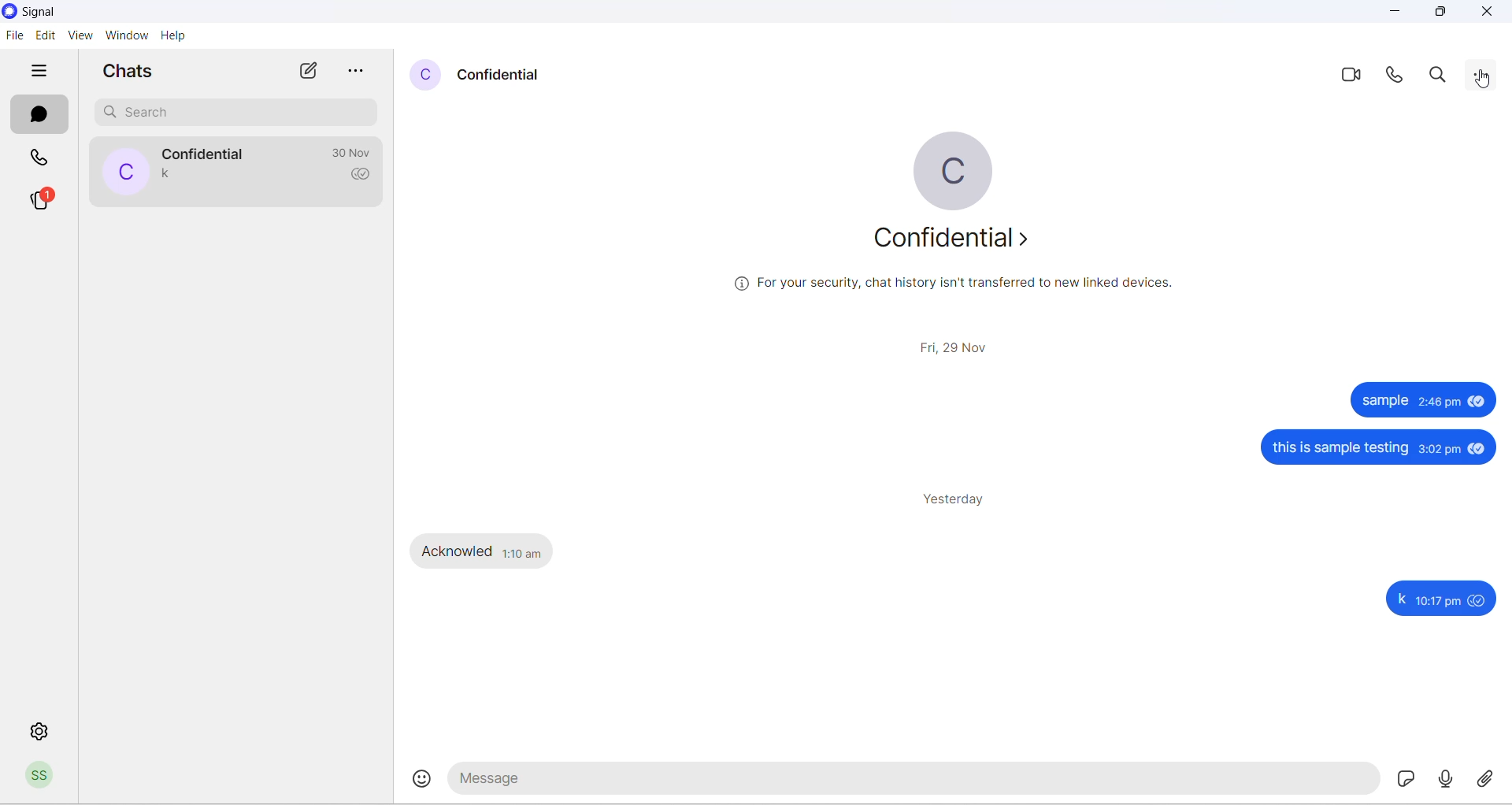 The height and width of the screenshot is (805, 1512). Describe the element at coordinates (1440, 449) in the screenshot. I see `3:02  pm` at that location.